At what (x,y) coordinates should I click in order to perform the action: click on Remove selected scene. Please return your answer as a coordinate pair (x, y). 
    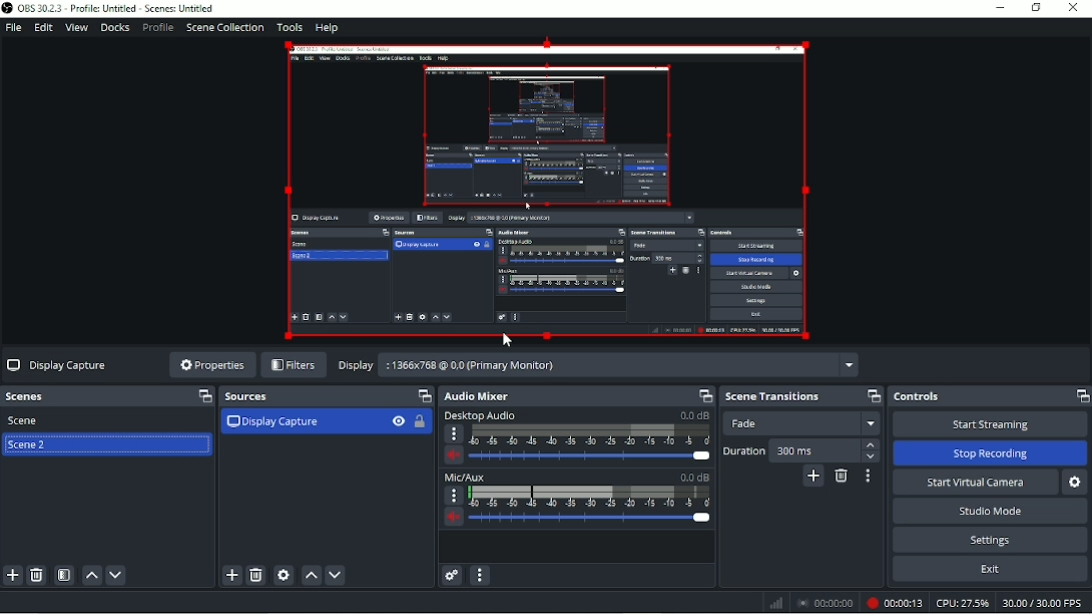
    Looking at the image, I should click on (38, 575).